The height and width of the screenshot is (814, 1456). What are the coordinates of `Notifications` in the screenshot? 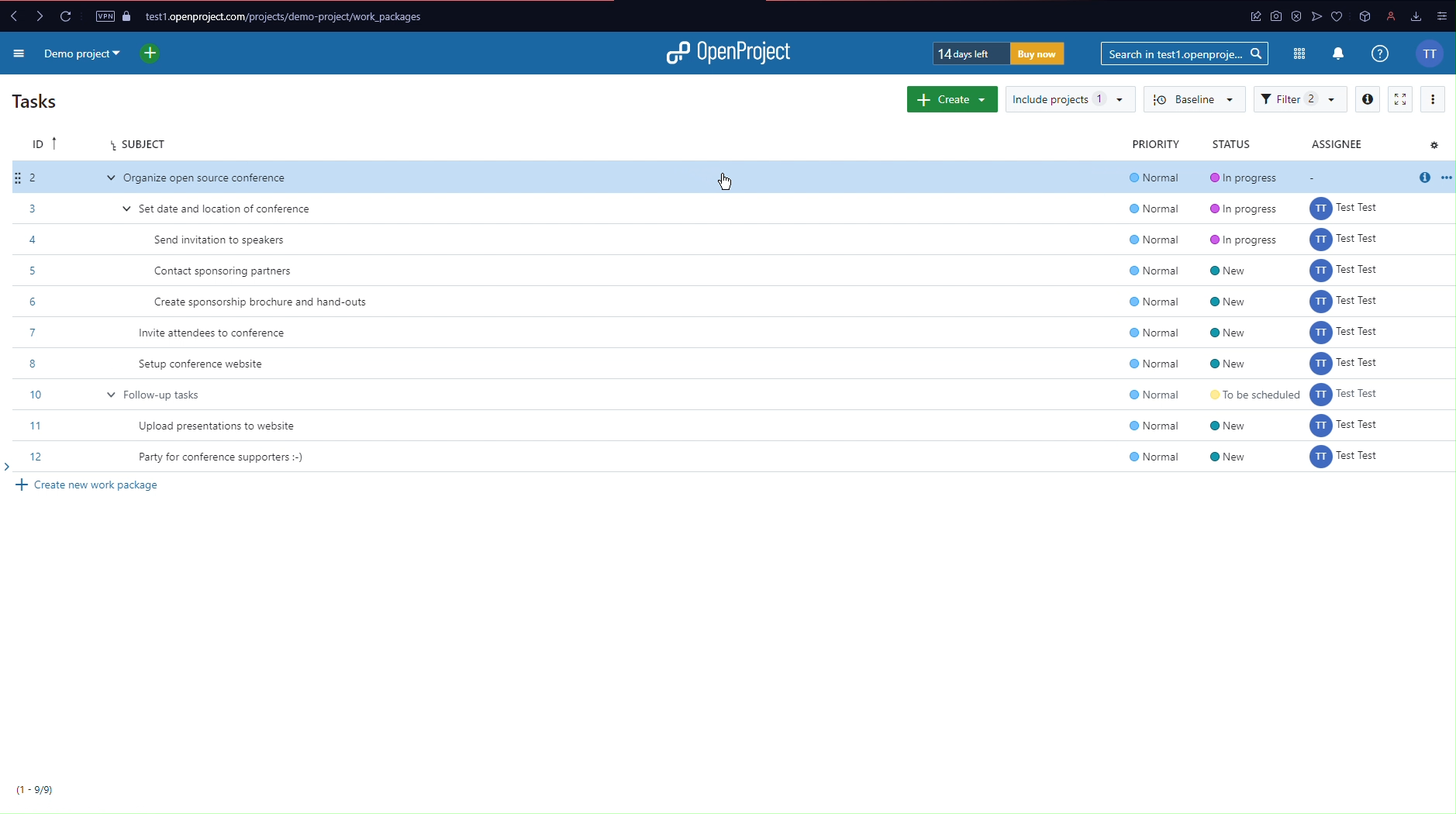 It's located at (1338, 54).